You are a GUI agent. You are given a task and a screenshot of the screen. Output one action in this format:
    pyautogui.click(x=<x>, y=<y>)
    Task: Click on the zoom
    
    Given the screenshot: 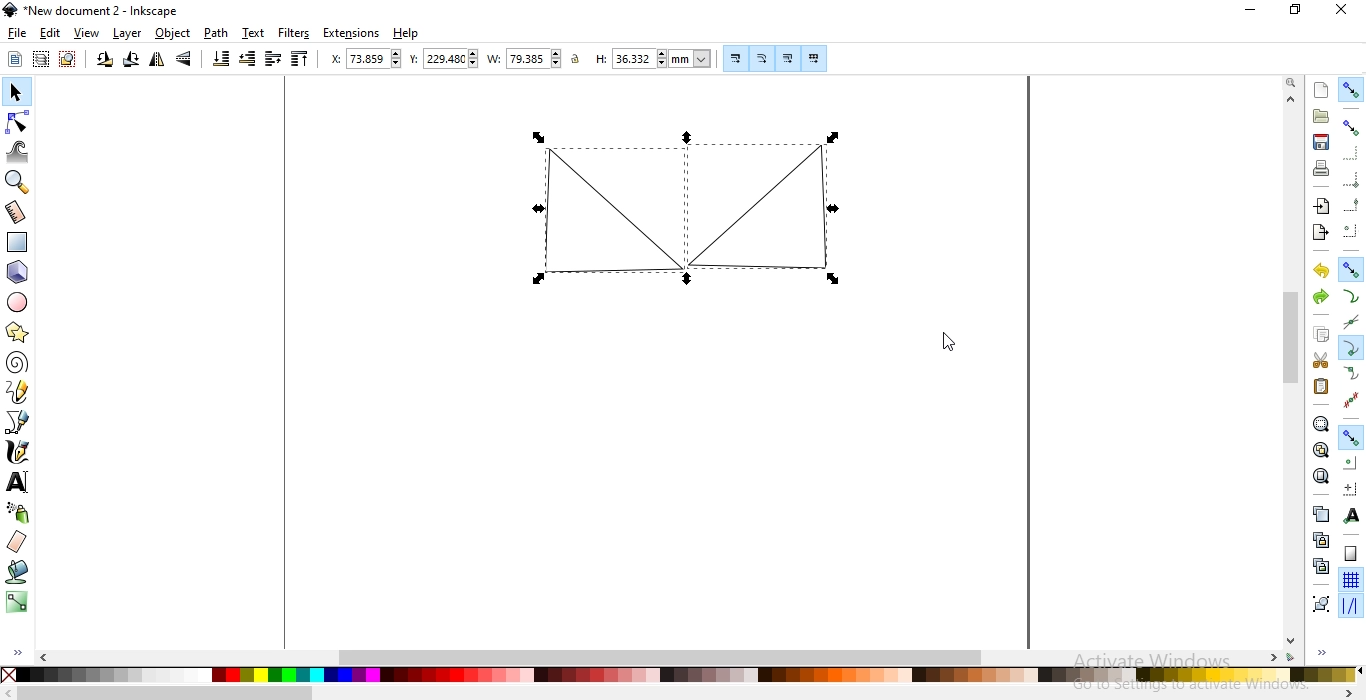 What is the action you would take?
    pyautogui.click(x=1289, y=83)
    